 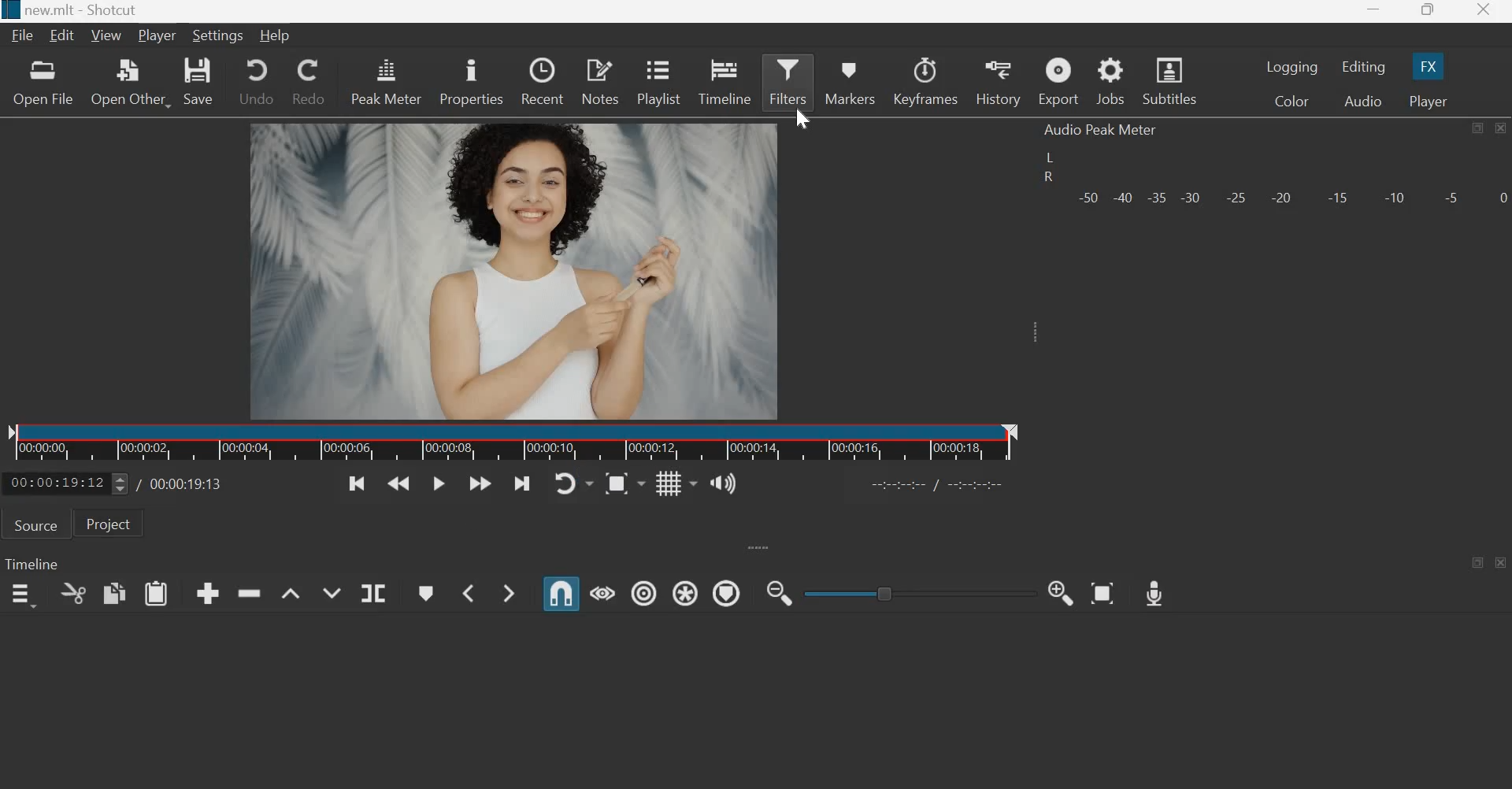 What do you see at coordinates (438, 483) in the screenshot?
I see `Toggle play or pause` at bounding box center [438, 483].